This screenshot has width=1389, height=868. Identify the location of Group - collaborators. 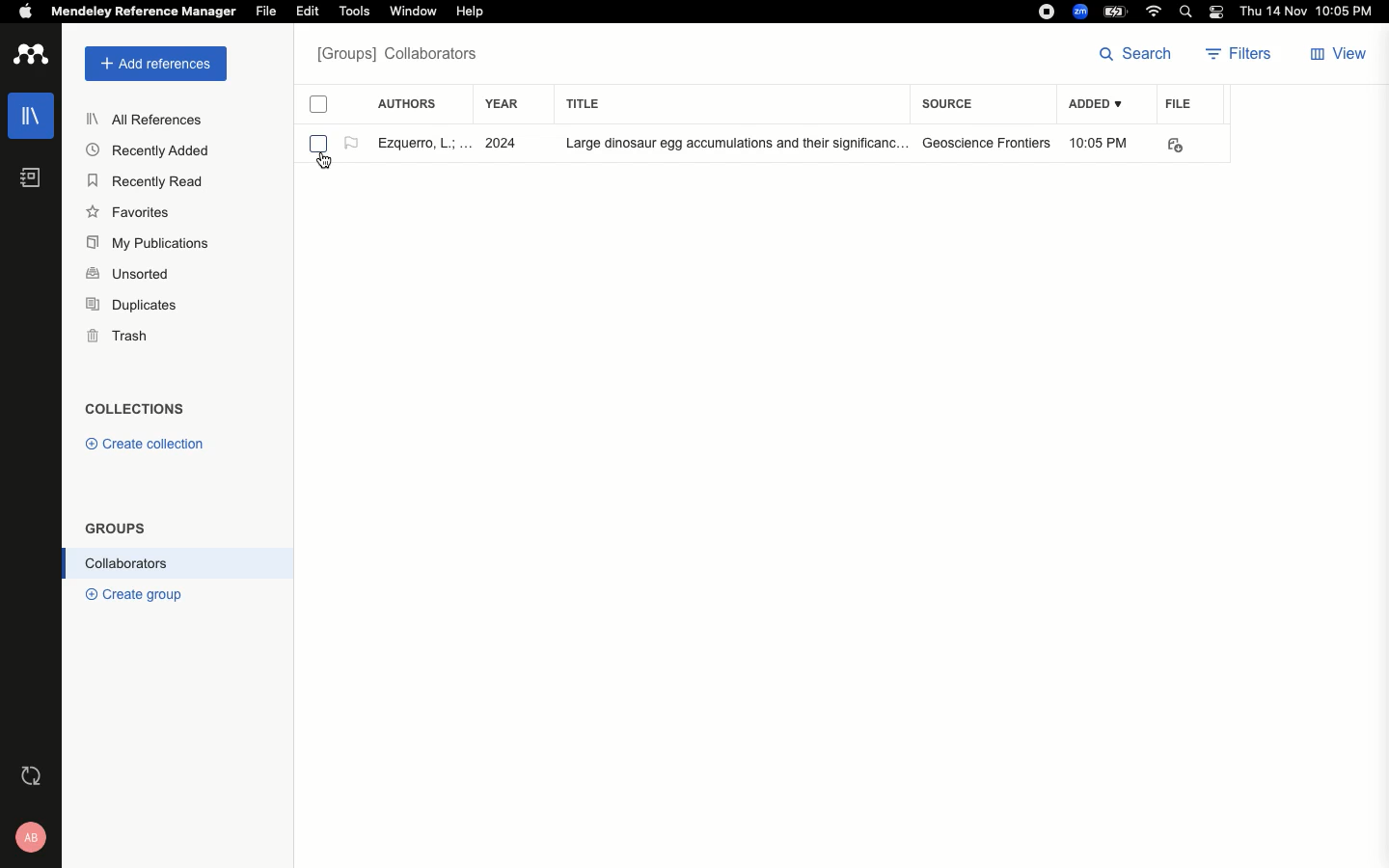
(402, 57).